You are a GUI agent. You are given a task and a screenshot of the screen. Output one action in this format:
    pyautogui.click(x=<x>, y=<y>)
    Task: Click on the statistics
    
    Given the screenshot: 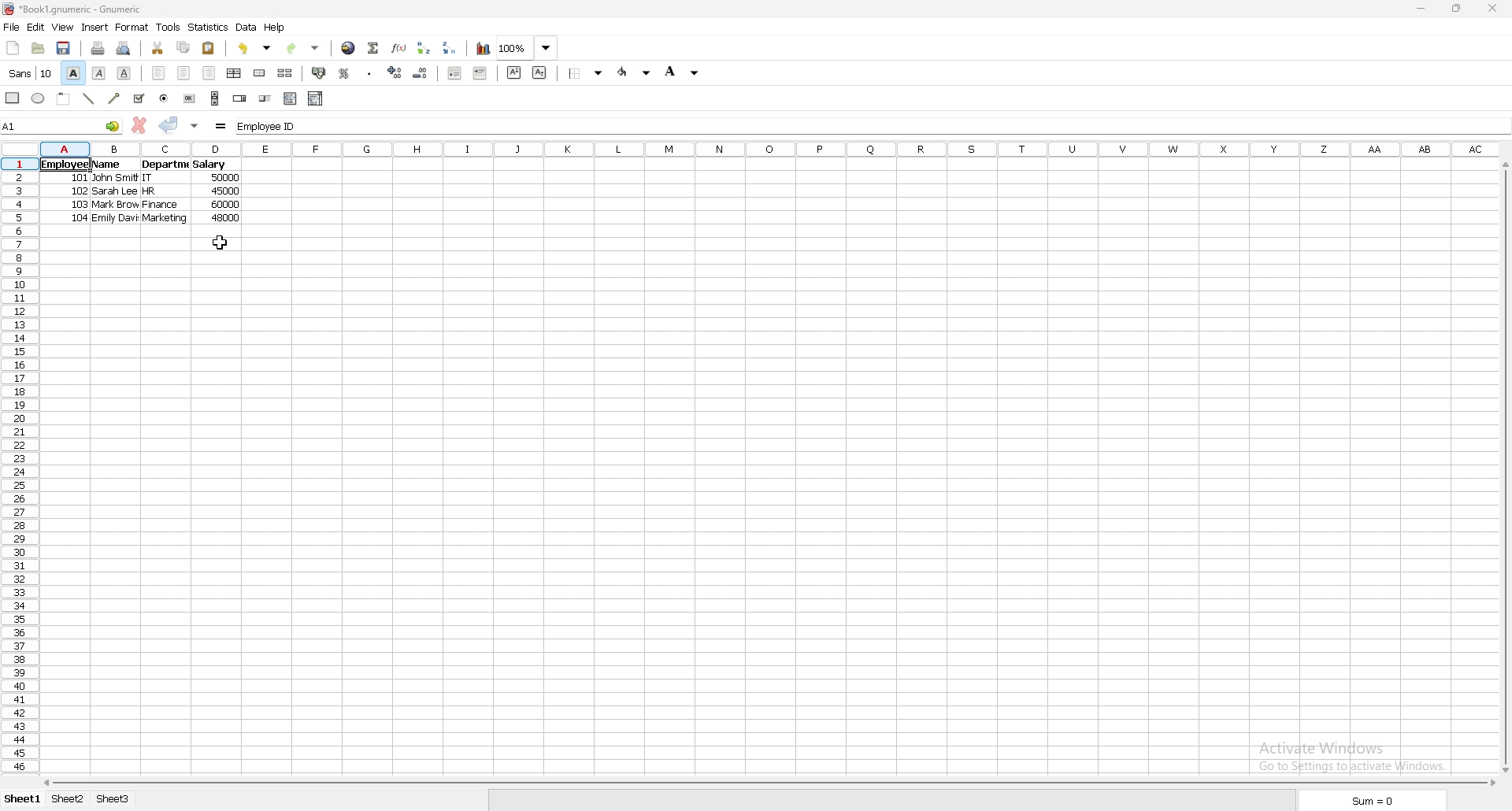 What is the action you would take?
    pyautogui.click(x=208, y=28)
    